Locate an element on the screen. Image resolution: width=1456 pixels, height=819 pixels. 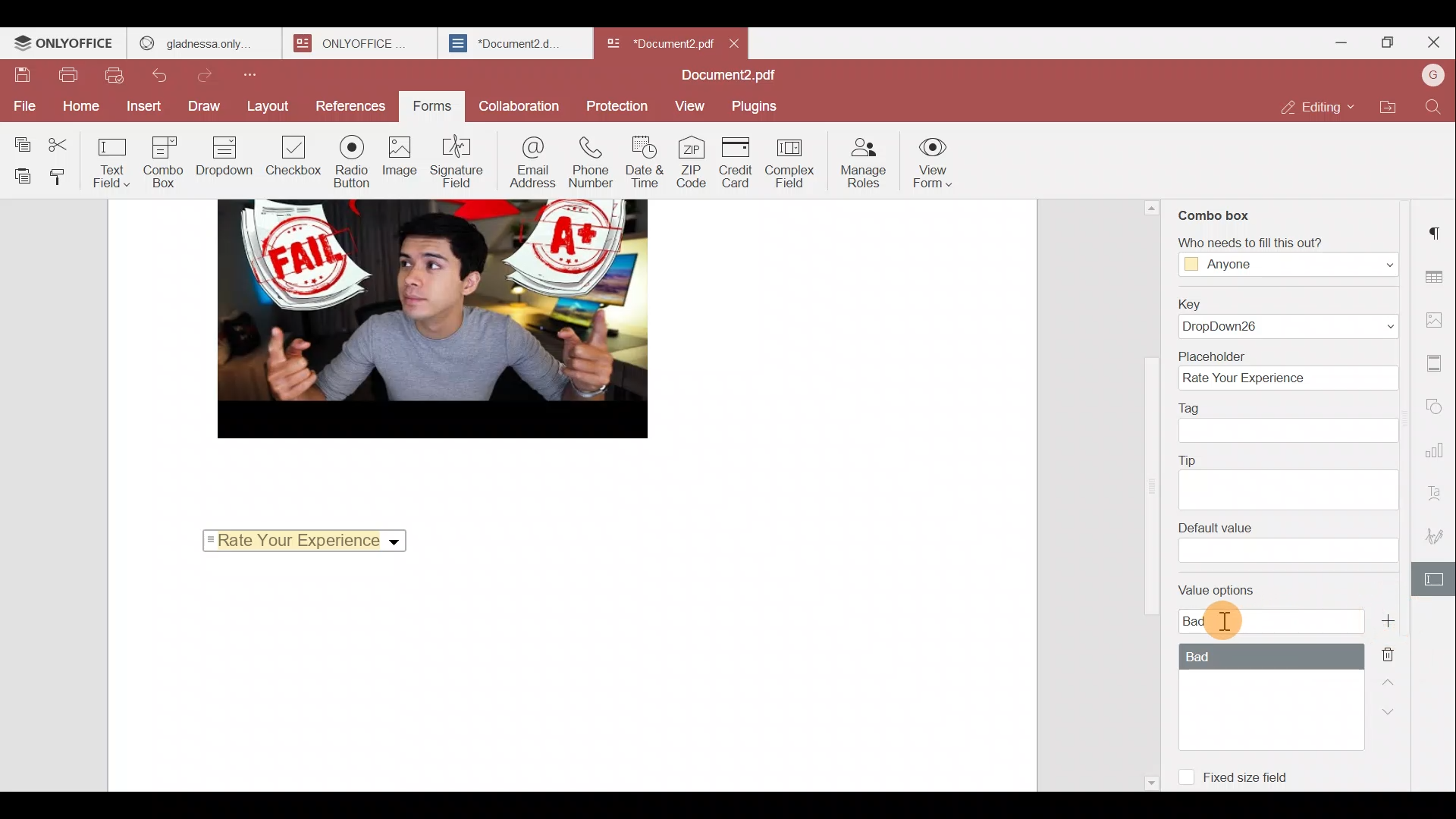
Collaboration is located at coordinates (518, 105).